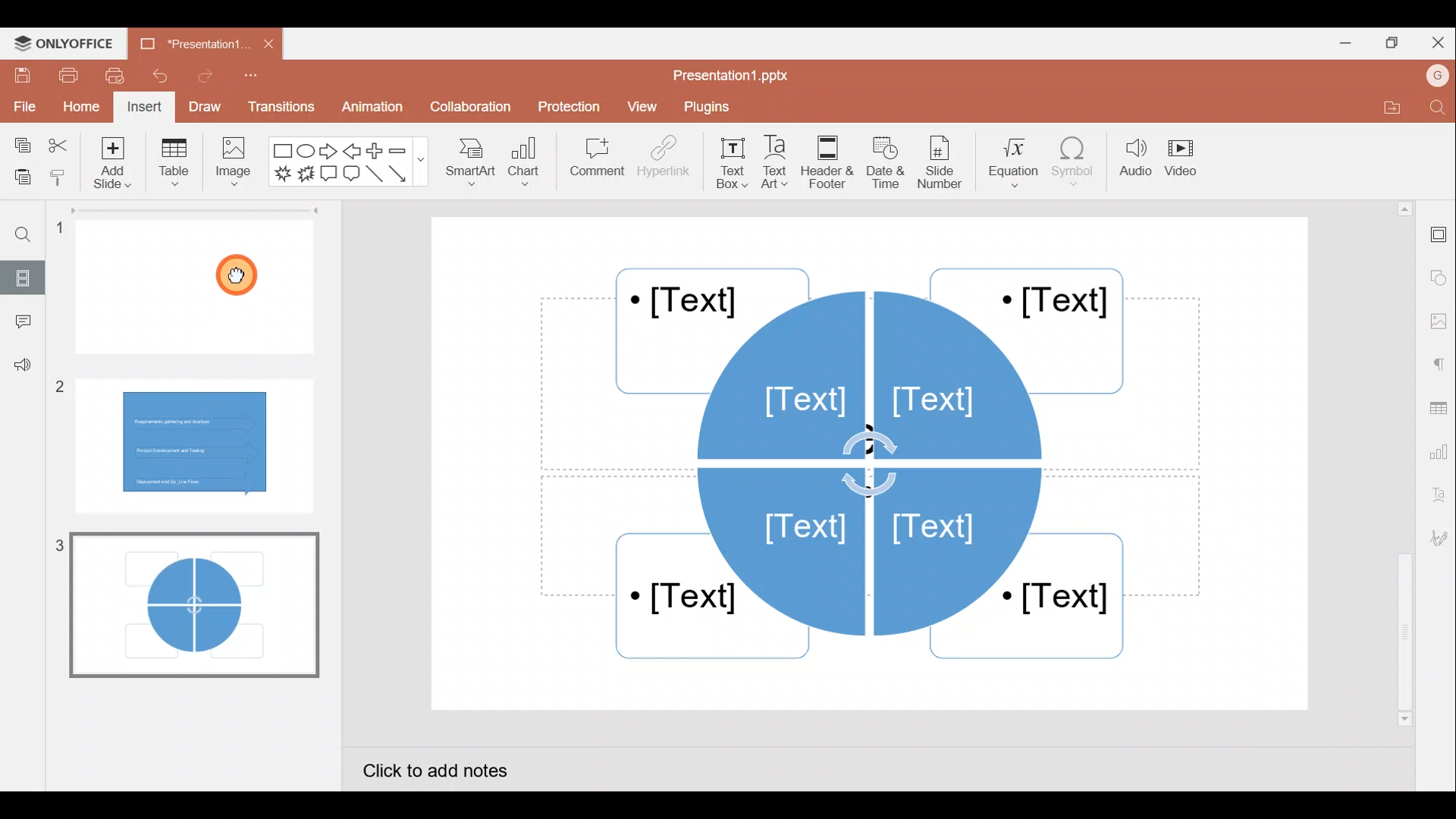 The height and width of the screenshot is (819, 1456). I want to click on Slide settings, so click(1437, 236).